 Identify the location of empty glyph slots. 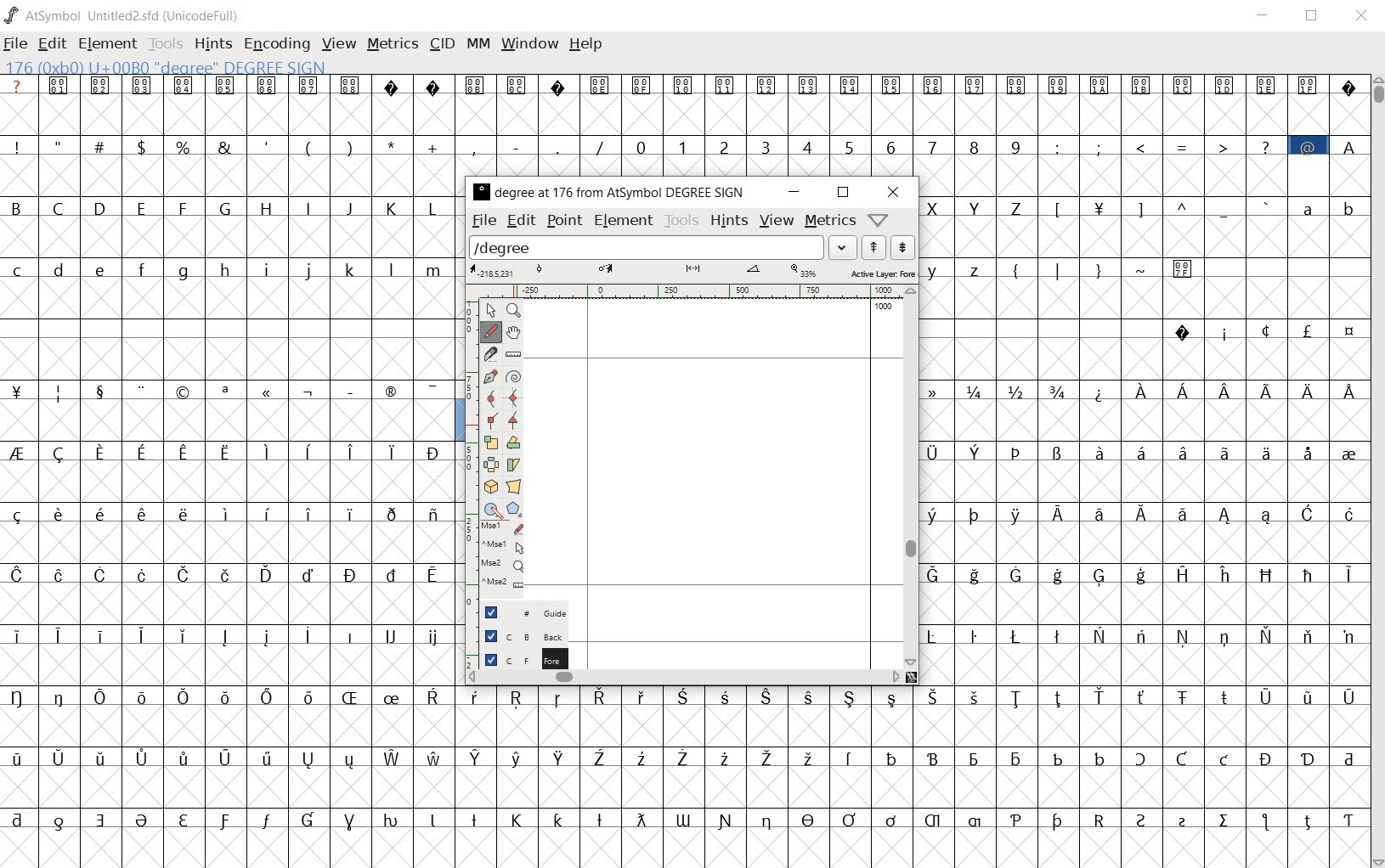
(232, 728).